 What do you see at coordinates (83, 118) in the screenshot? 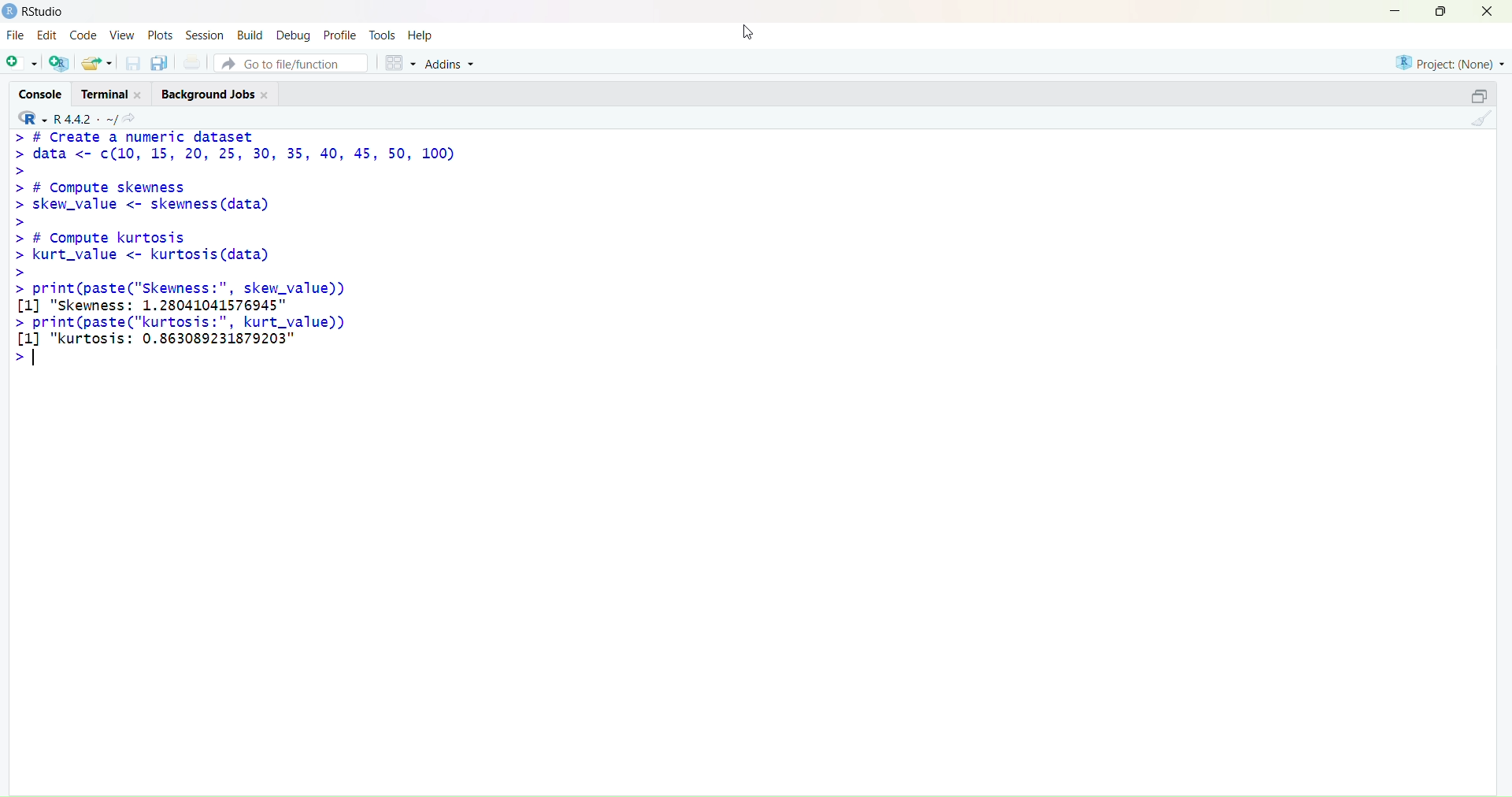
I see `R.4.4.2~/` at bounding box center [83, 118].